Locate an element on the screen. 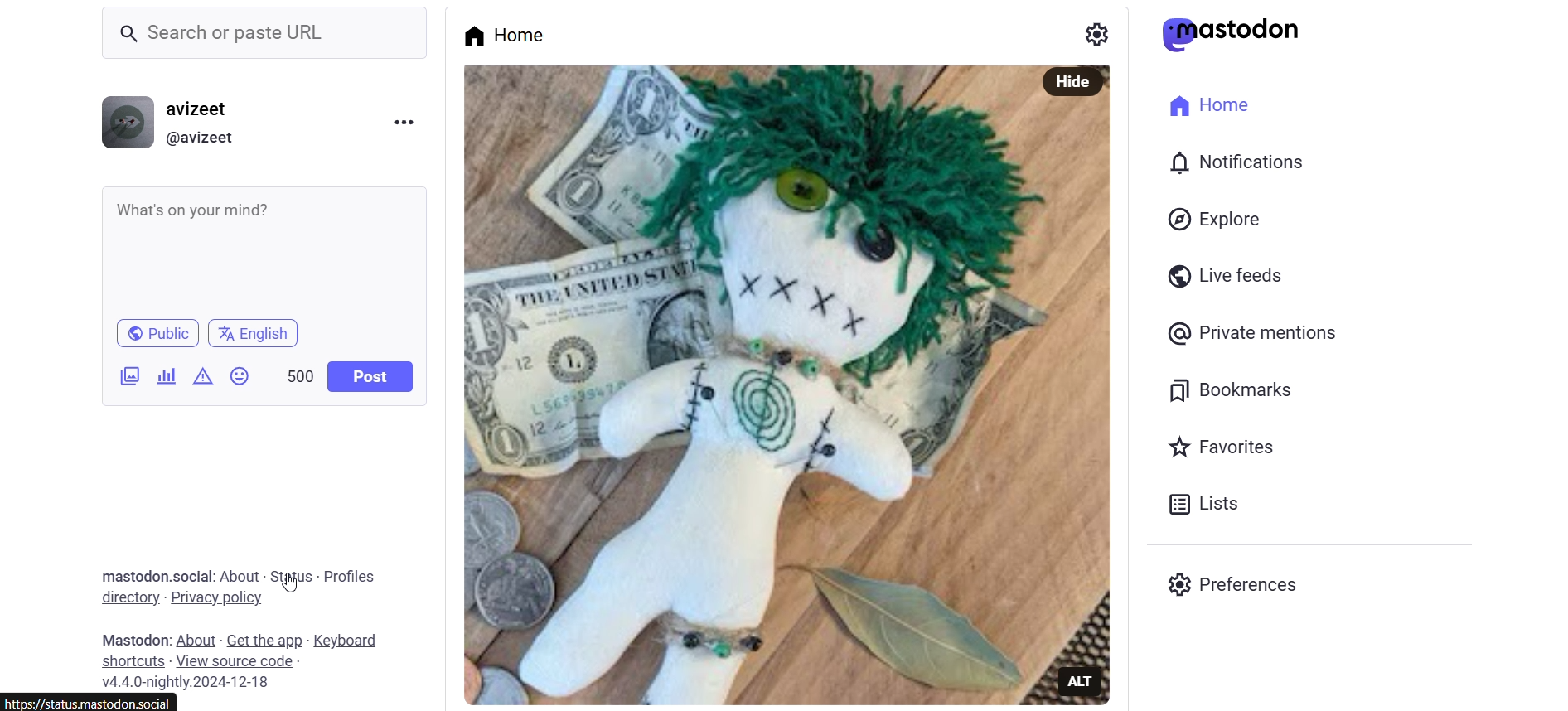 The height and width of the screenshot is (711, 1568). keyboard is located at coordinates (355, 639).